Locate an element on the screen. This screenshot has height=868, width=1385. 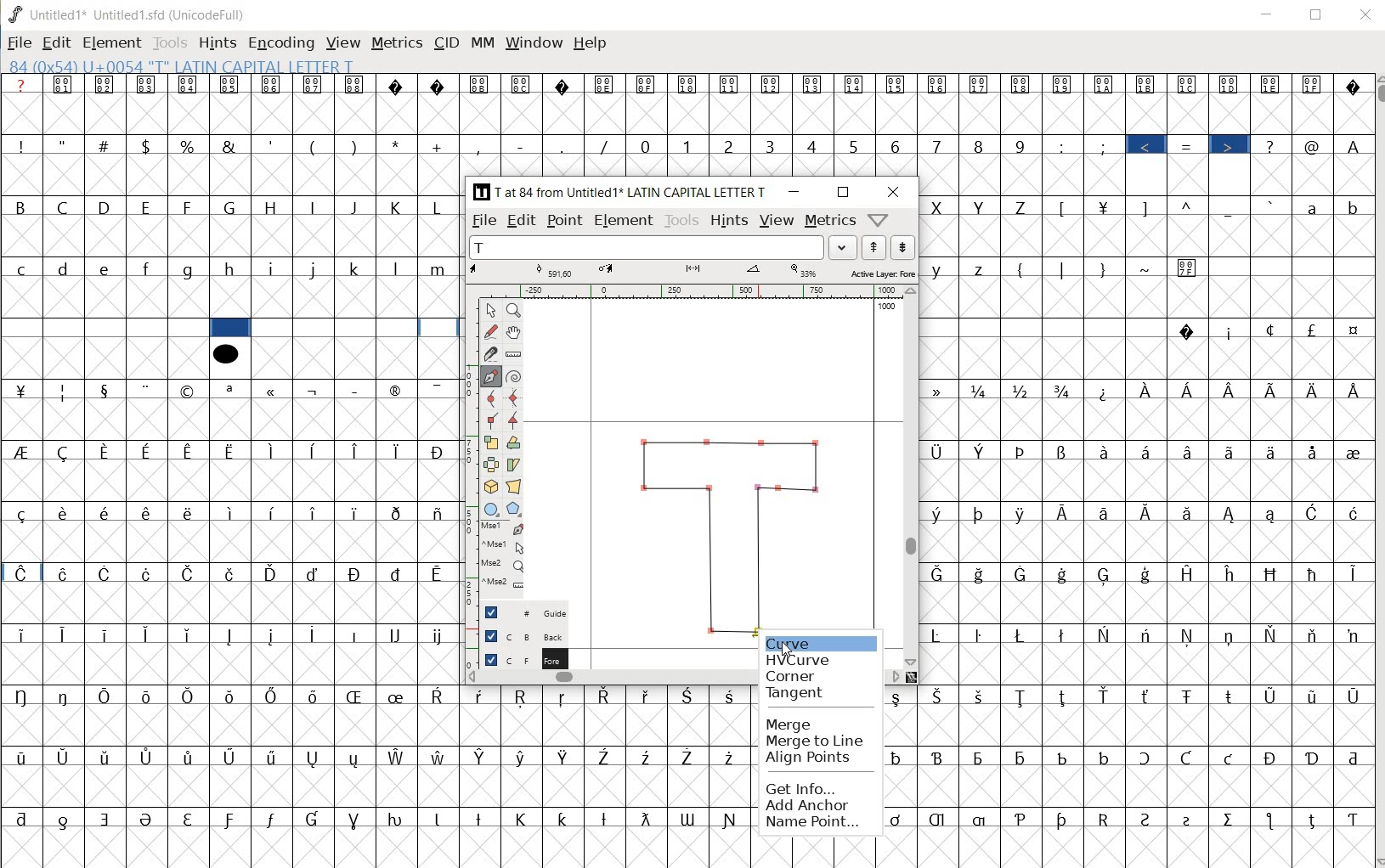
Symbol is located at coordinates (1314, 84).